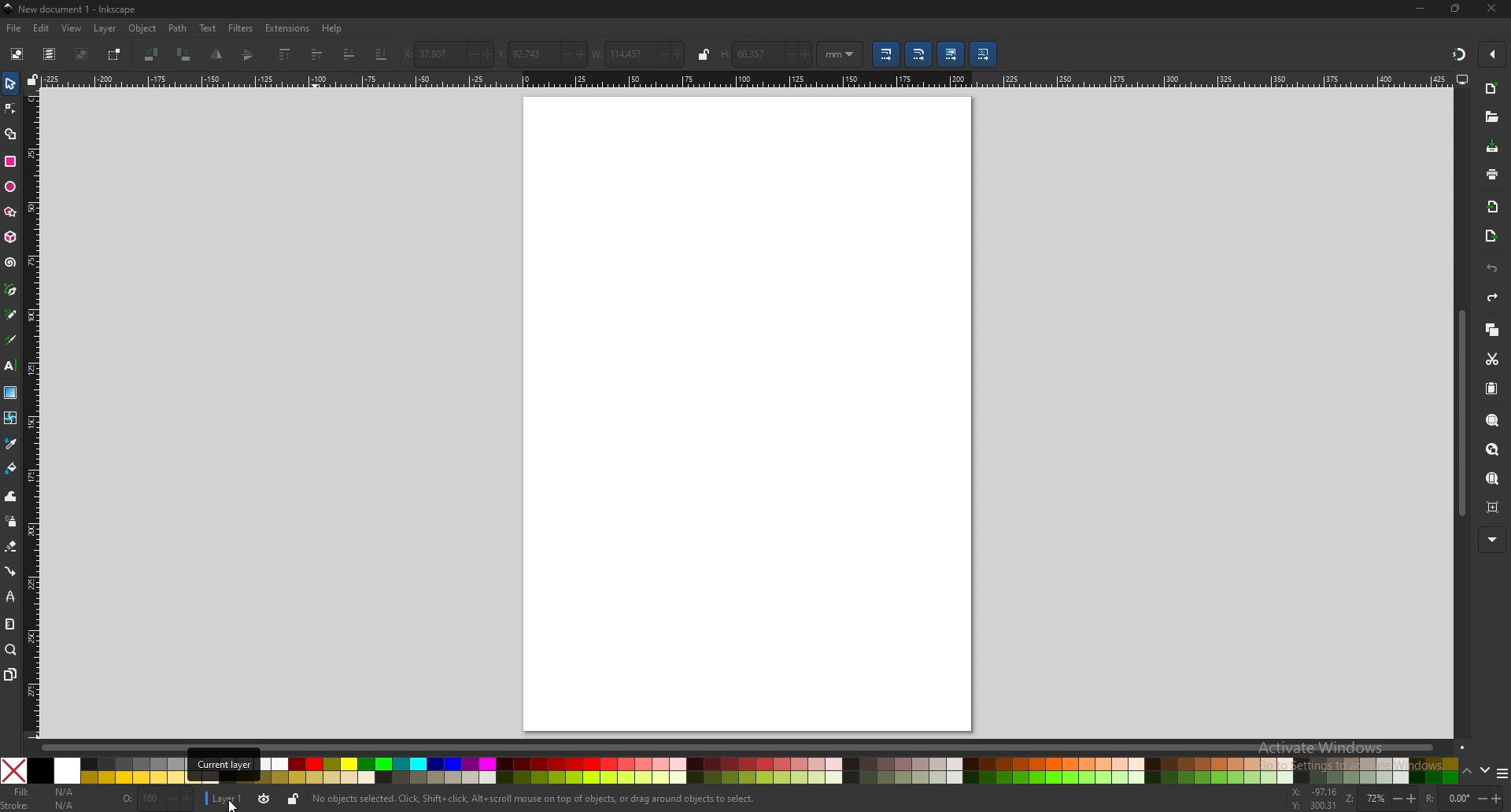  What do you see at coordinates (1491, 117) in the screenshot?
I see `open` at bounding box center [1491, 117].